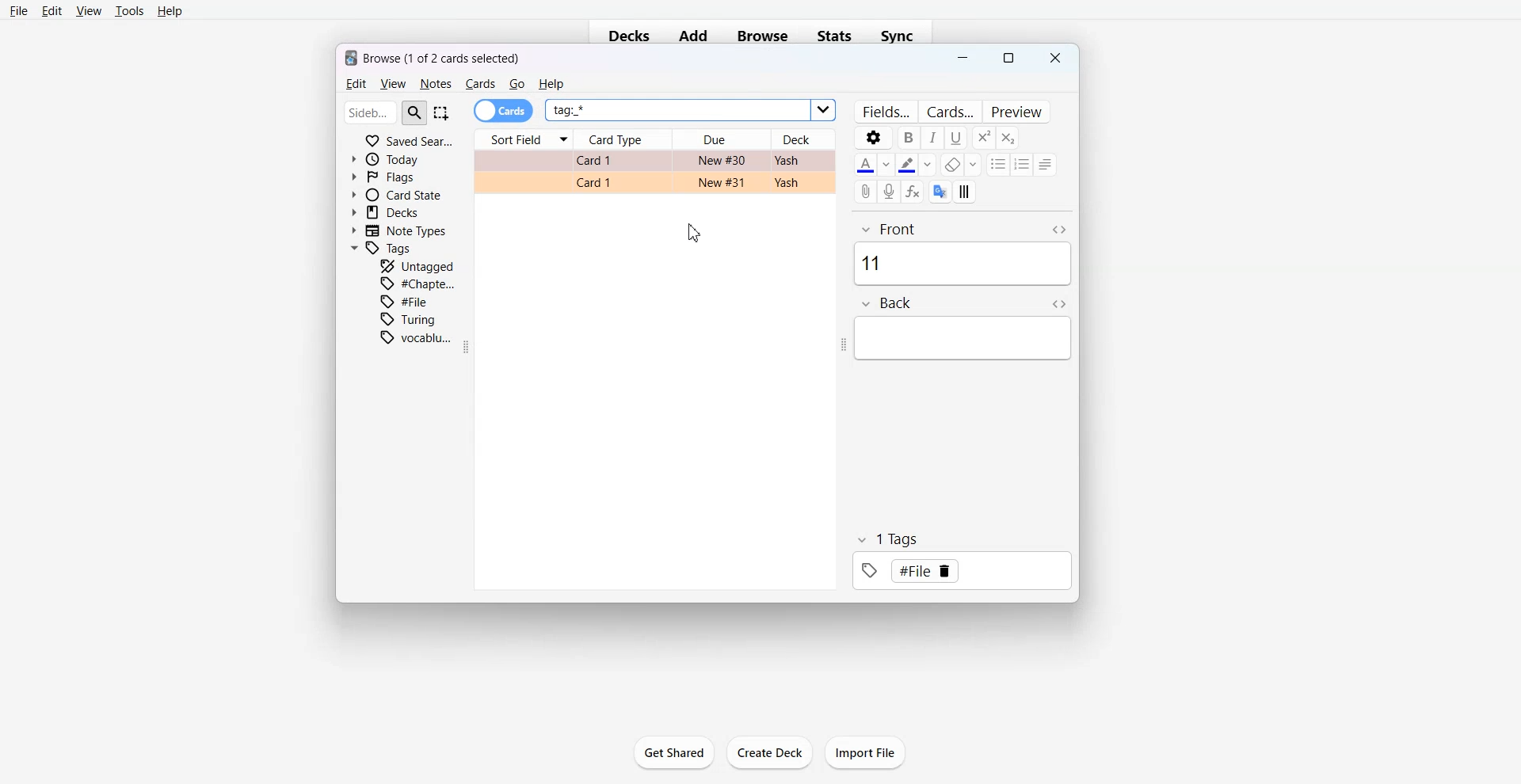  Describe the element at coordinates (392, 84) in the screenshot. I see `View` at that location.